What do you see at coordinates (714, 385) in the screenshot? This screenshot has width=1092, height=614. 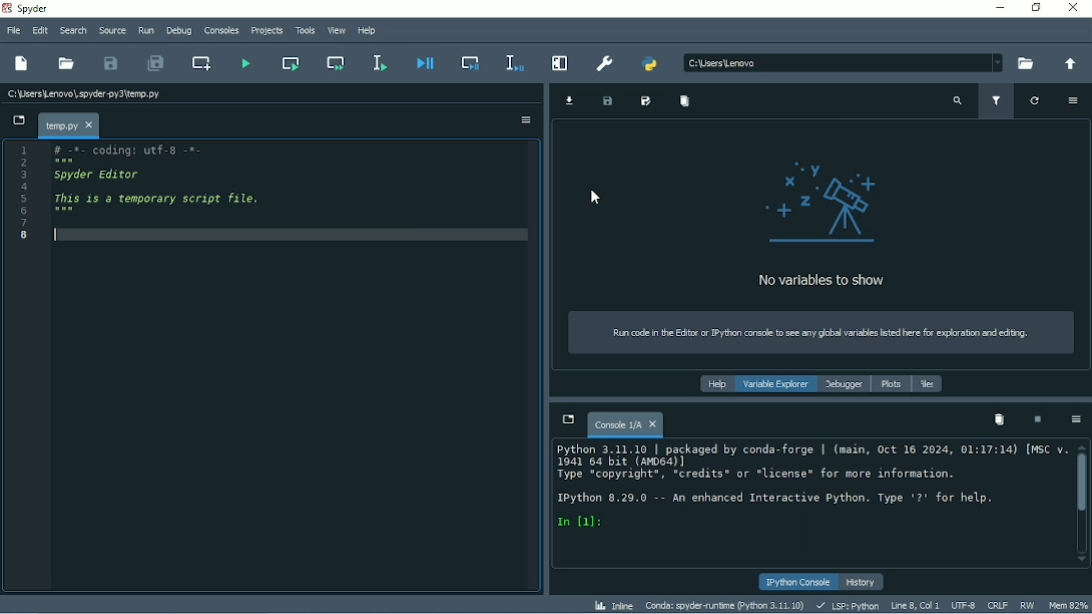 I see `Help` at bounding box center [714, 385].